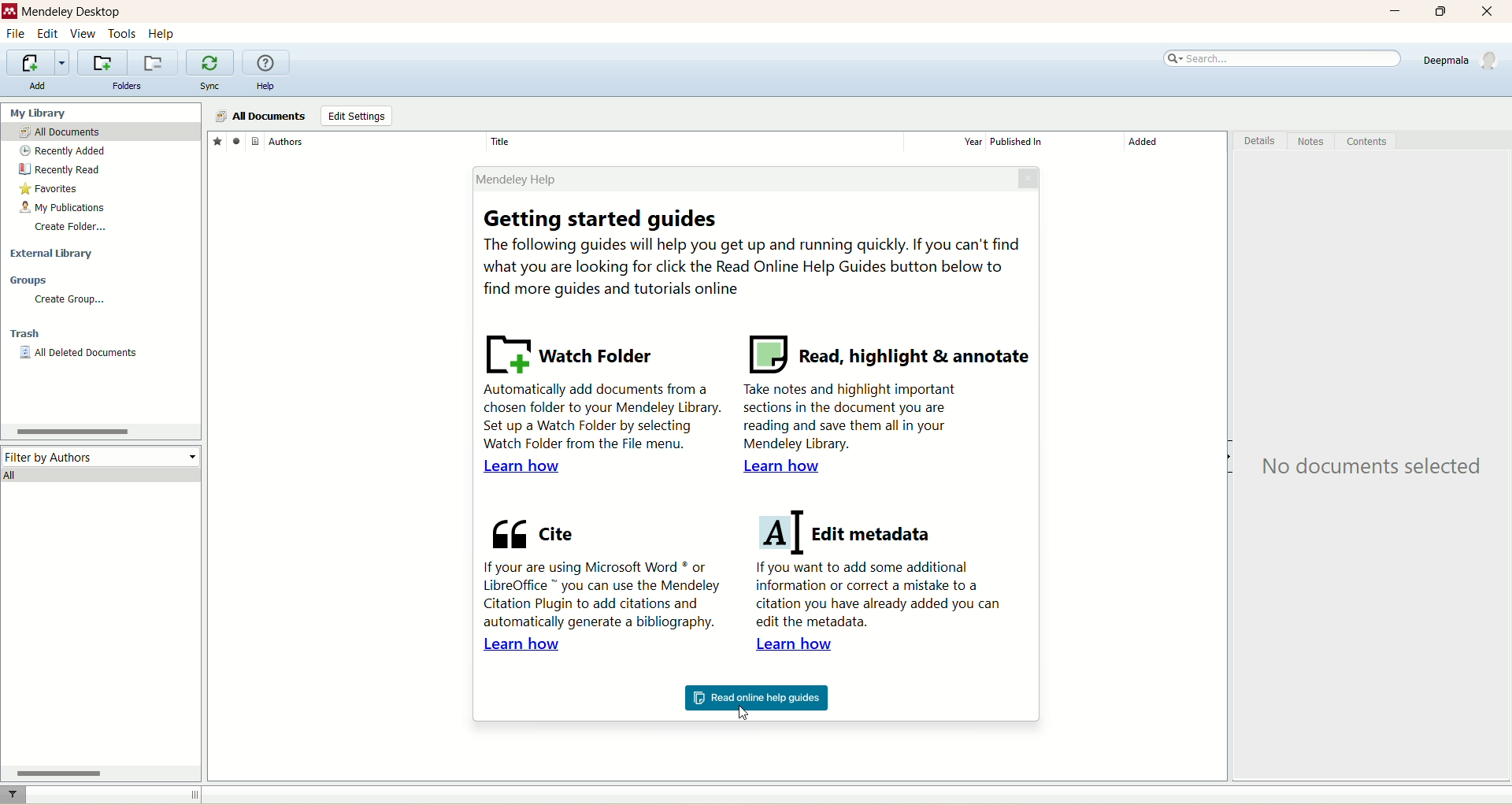 This screenshot has width=1512, height=805. I want to click on favorites, so click(216, 140).